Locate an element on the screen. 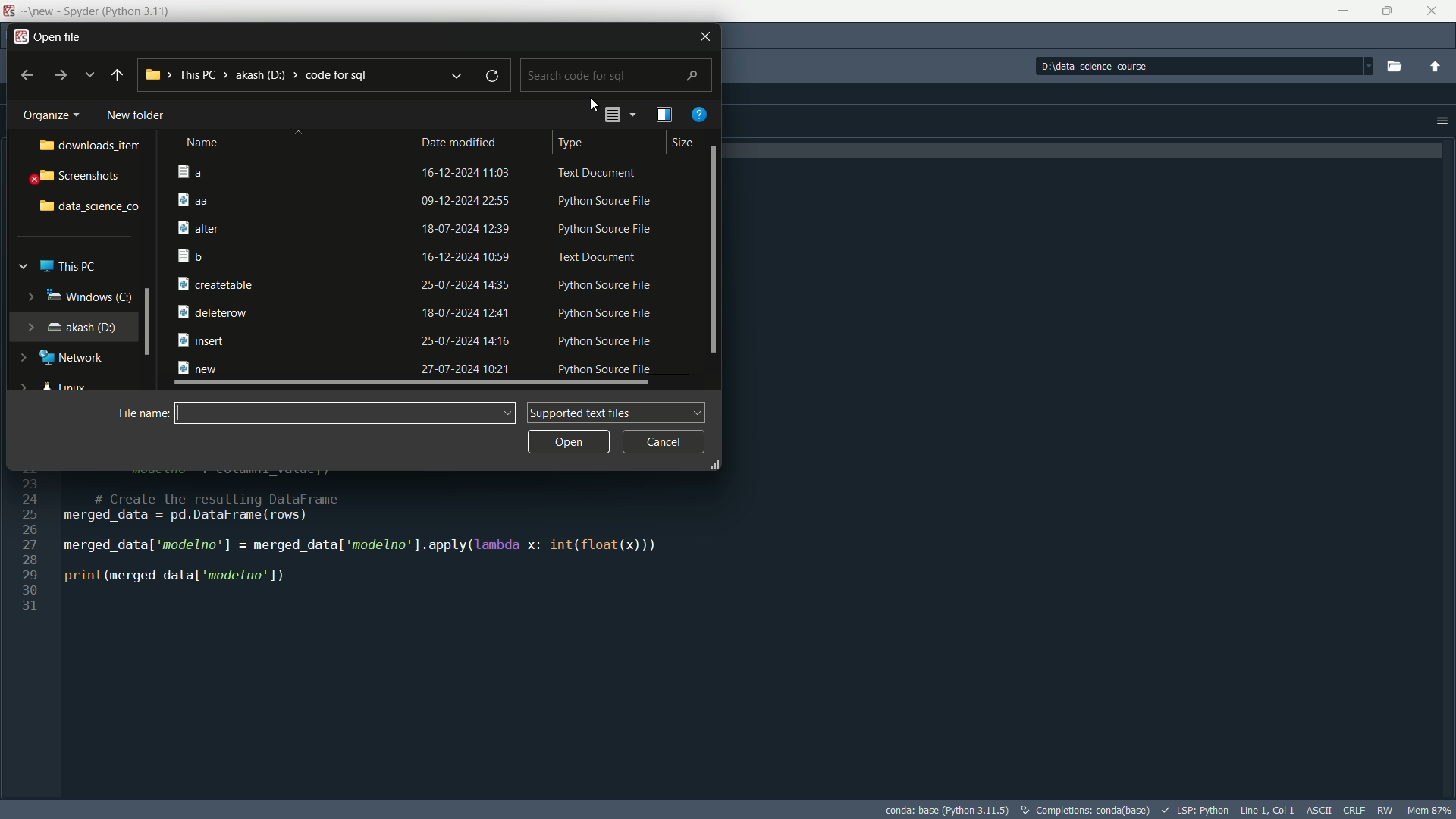 The width and height of the screenshot is (1456, 819). akash(D:) is located at coordinates (82, 326).